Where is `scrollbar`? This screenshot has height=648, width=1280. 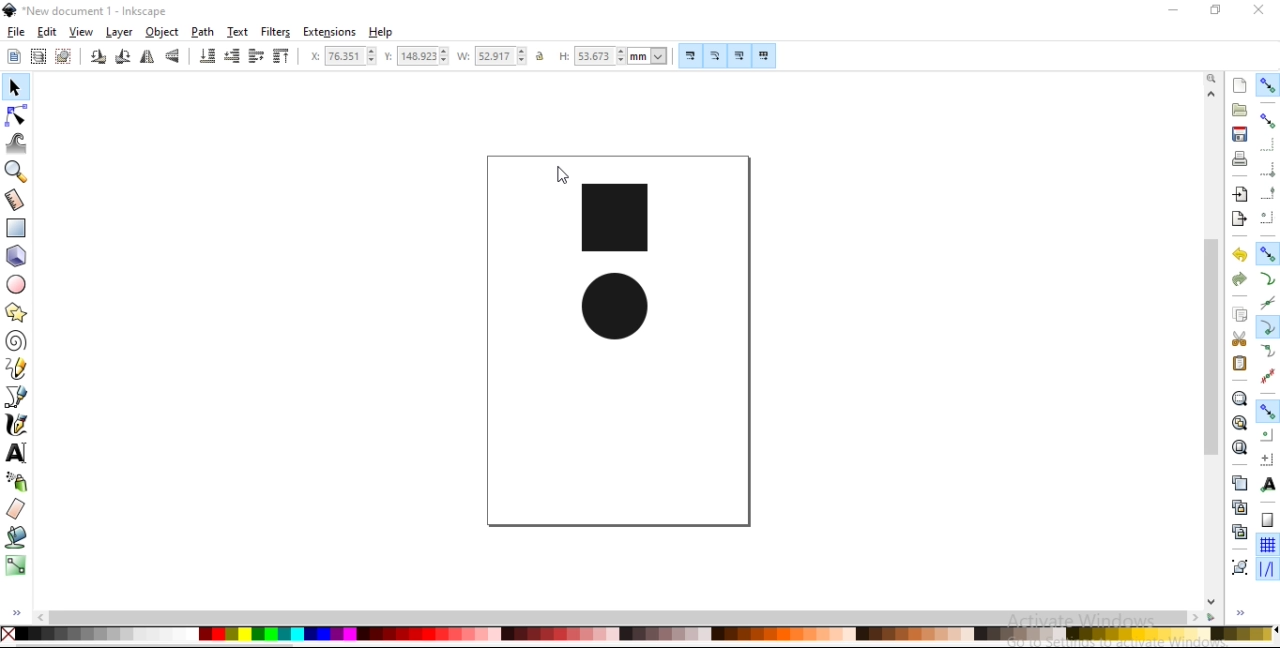
scrollbar is located at coordinates (618, 616).